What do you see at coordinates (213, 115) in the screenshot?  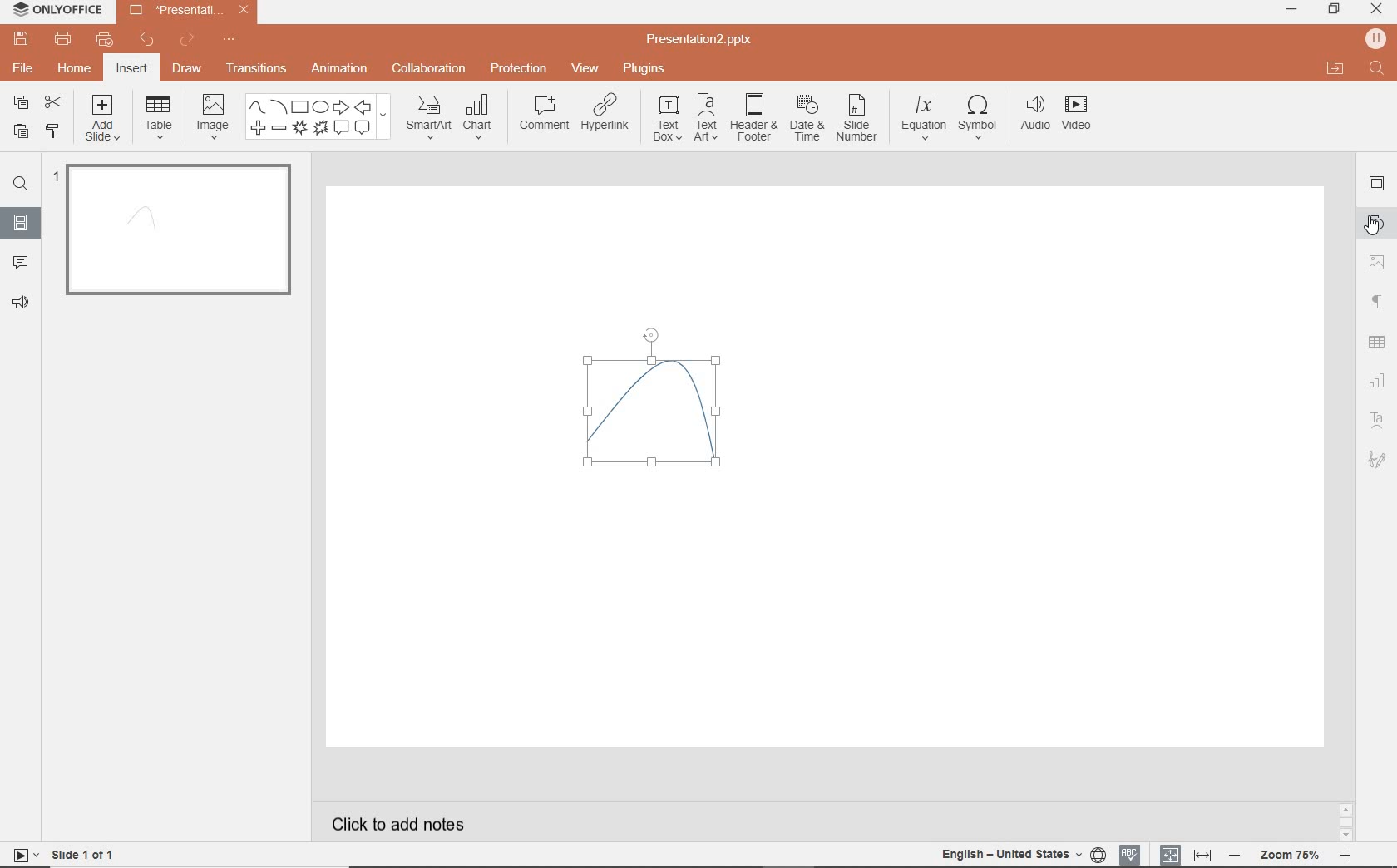 I see `IMAGE` at bounding box center [213, 115].